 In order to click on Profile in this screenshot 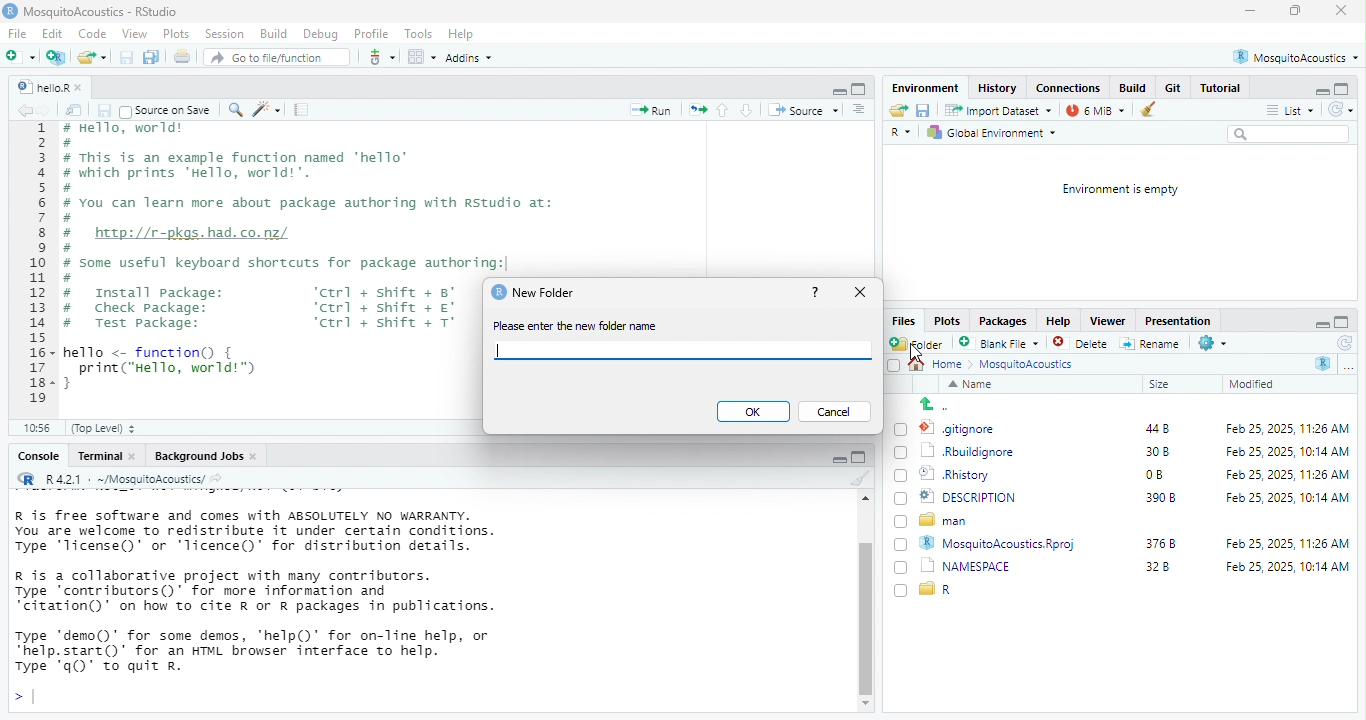, I will do `click(371, 32)`.